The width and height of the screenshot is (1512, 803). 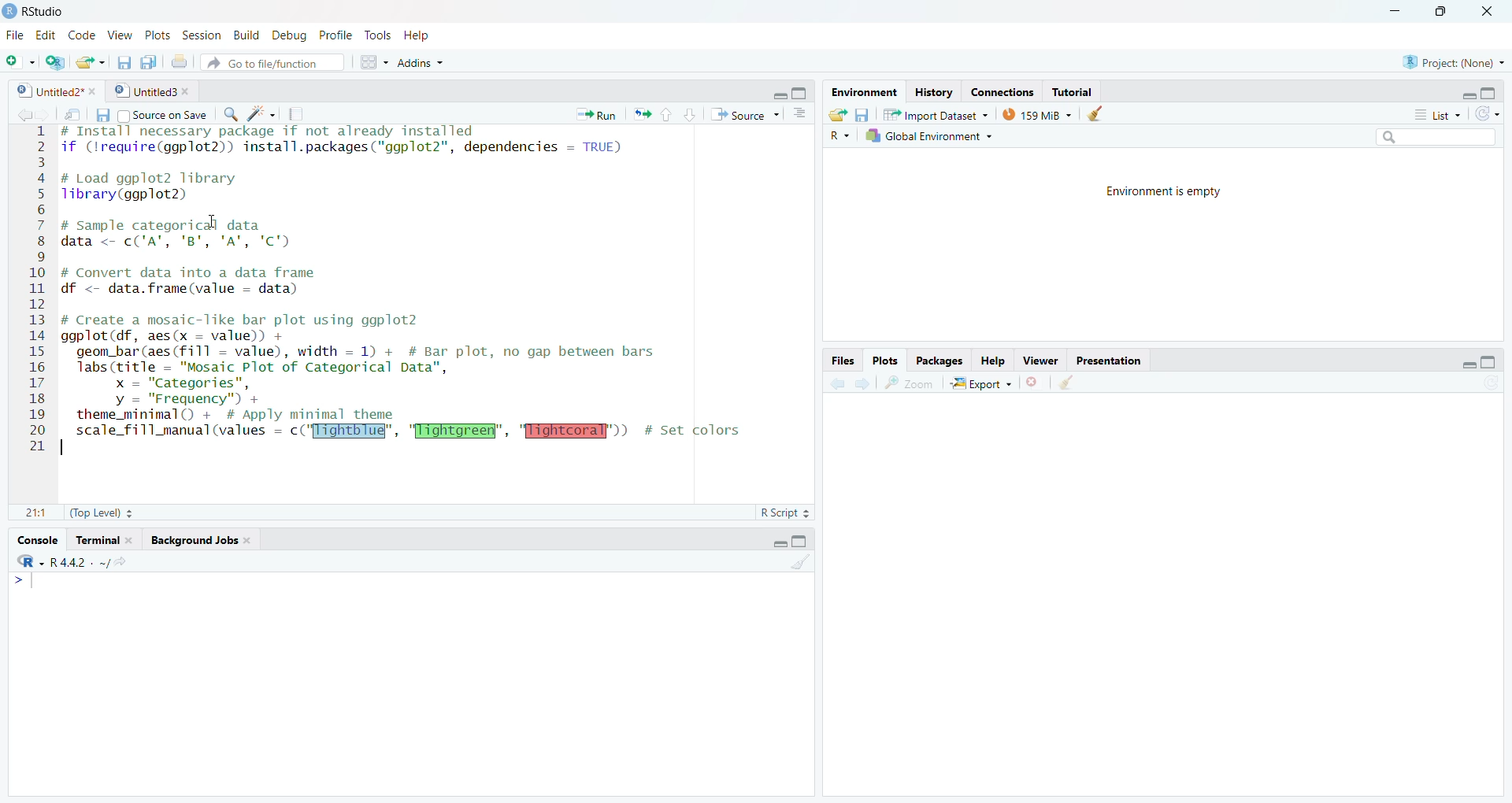 What do you see at coordinates (21, 115) in the screenshot?
I see `Previous` at bounding box center [21, 115].